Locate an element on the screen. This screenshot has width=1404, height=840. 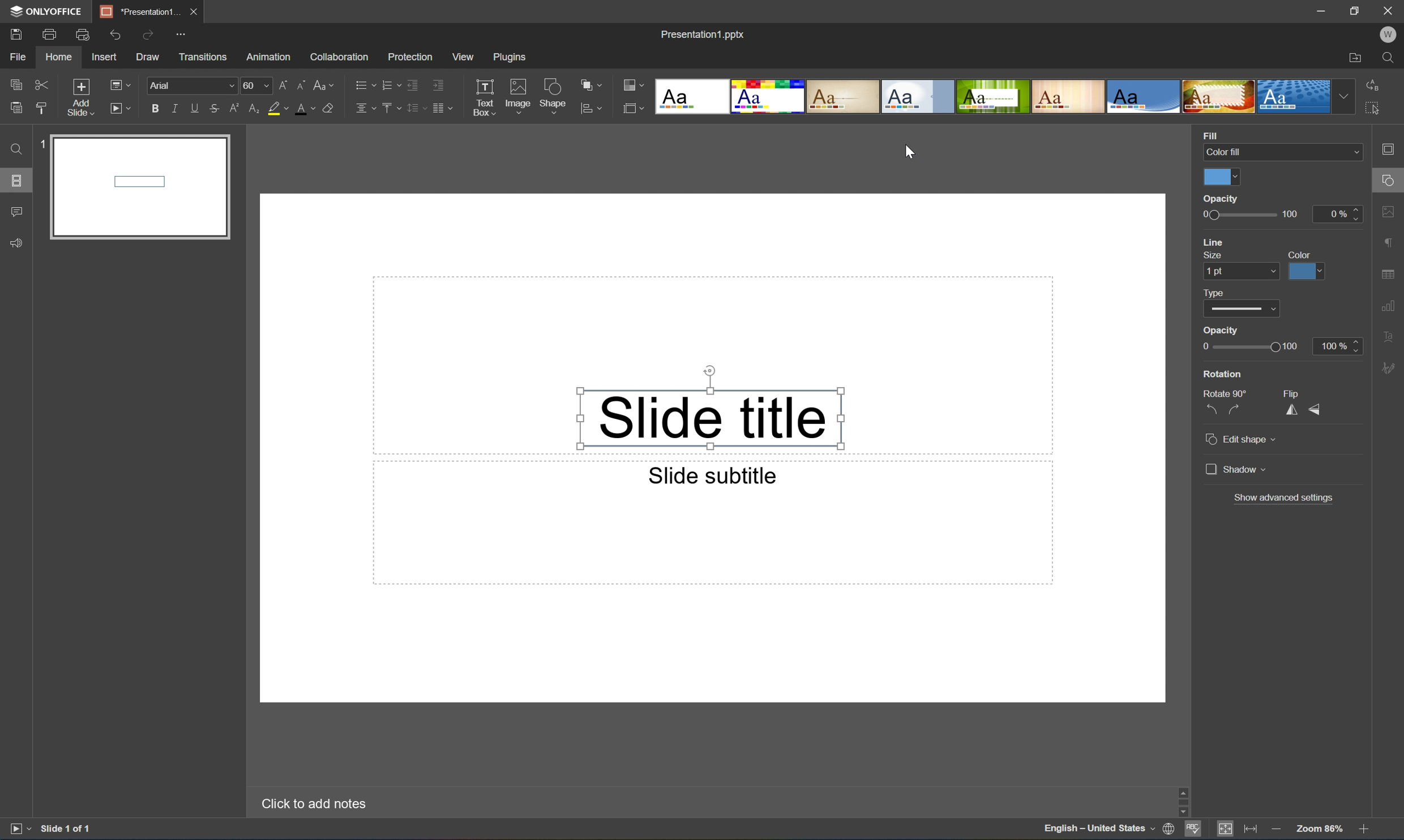
Increment font size is located at coordinates (281, 84).